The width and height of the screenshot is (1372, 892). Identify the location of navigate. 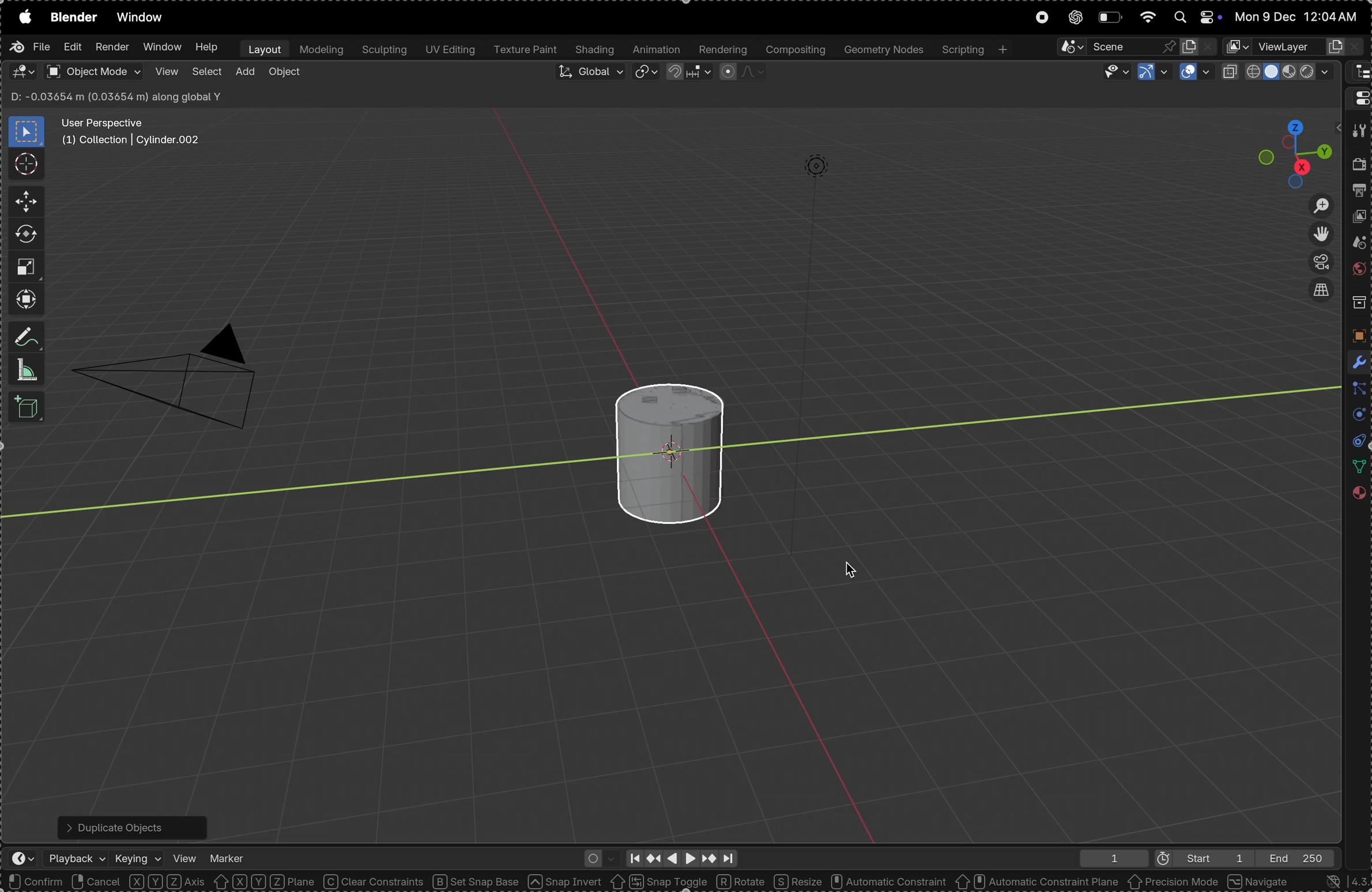
(1260, 881).